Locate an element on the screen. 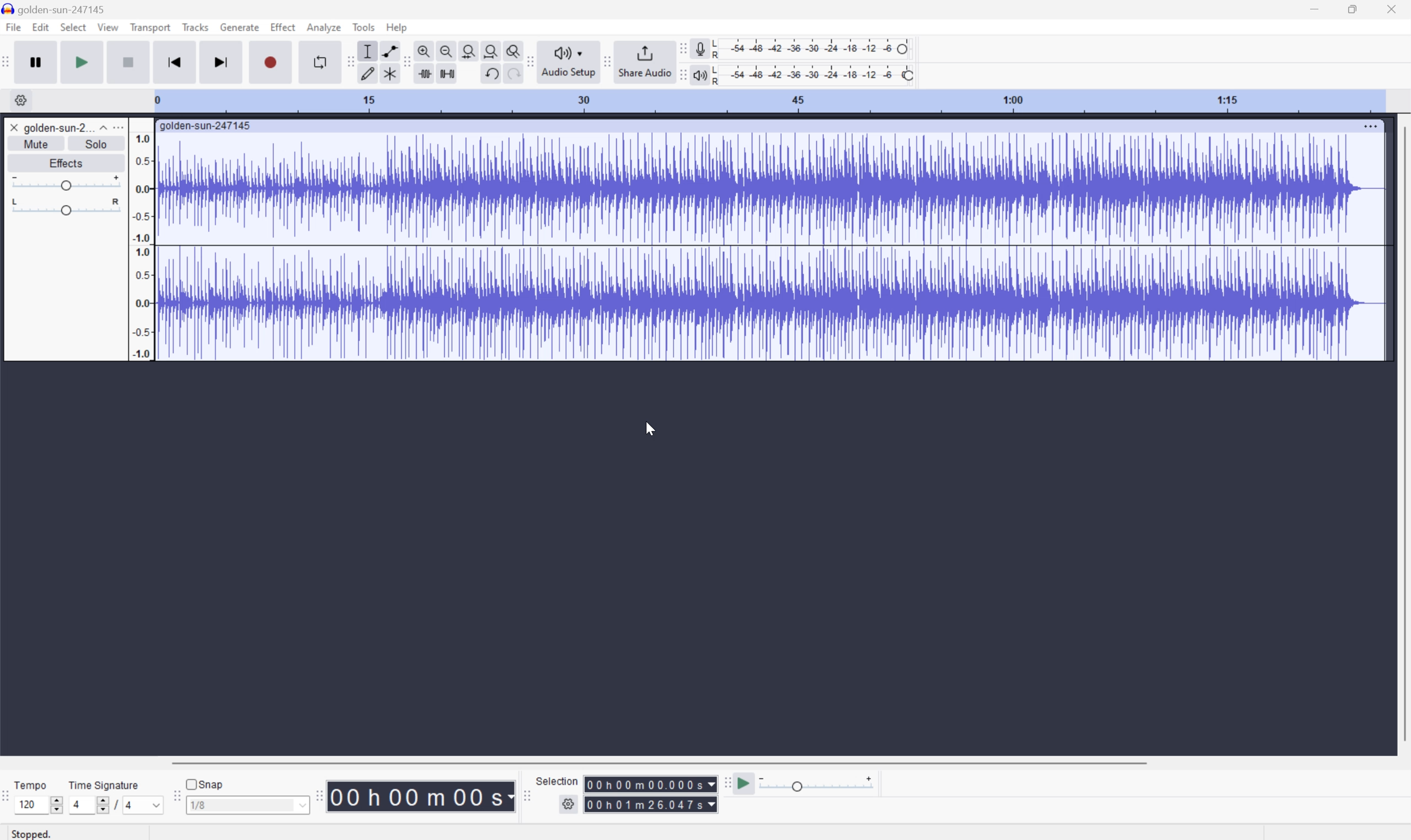 Image resolution: width=1411 pixels, height=840 pixels. Settings is located at coordinates (570, 807).